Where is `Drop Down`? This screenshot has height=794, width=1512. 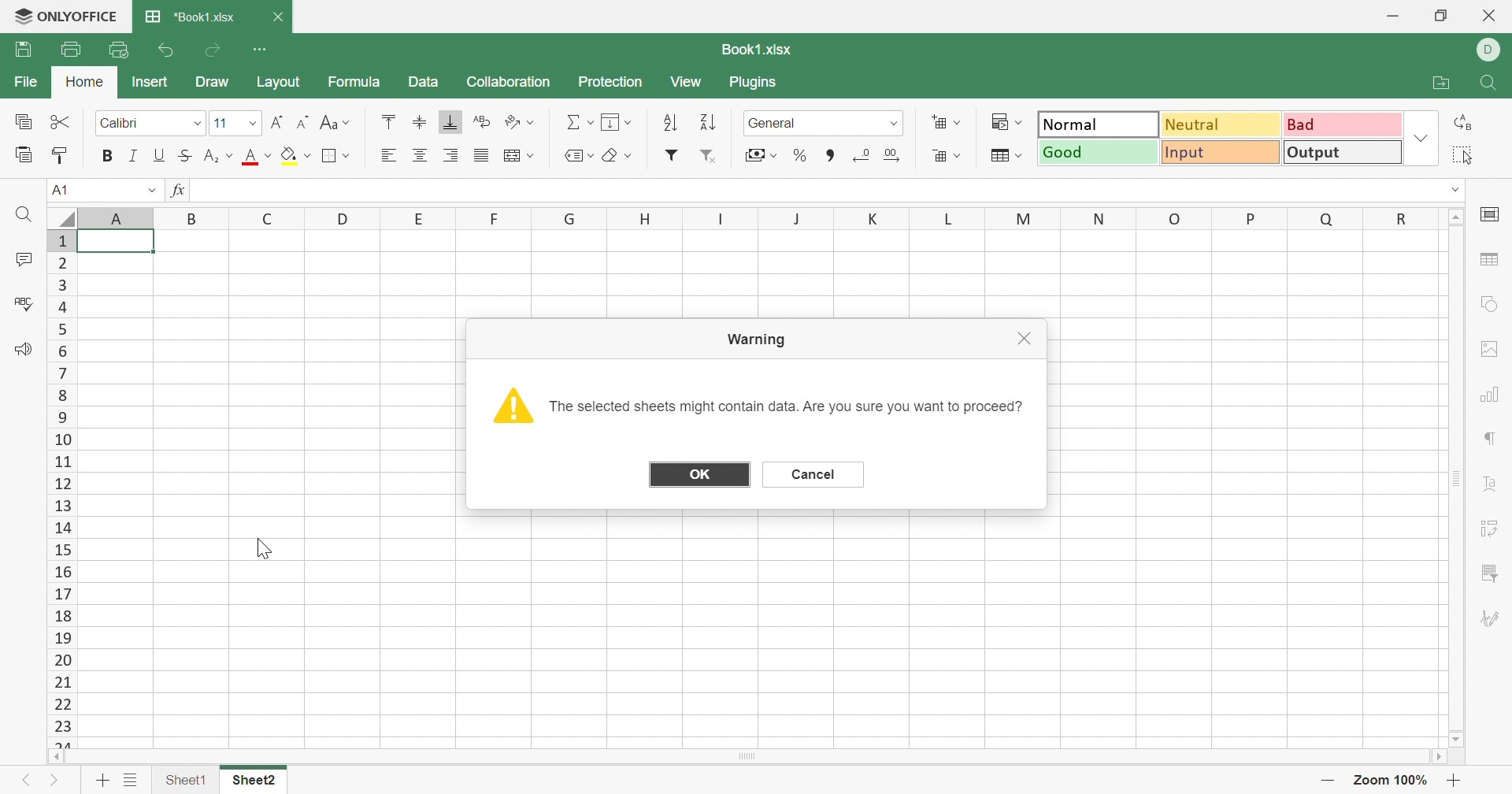
Drop Down is located at coordinates (628, 156).